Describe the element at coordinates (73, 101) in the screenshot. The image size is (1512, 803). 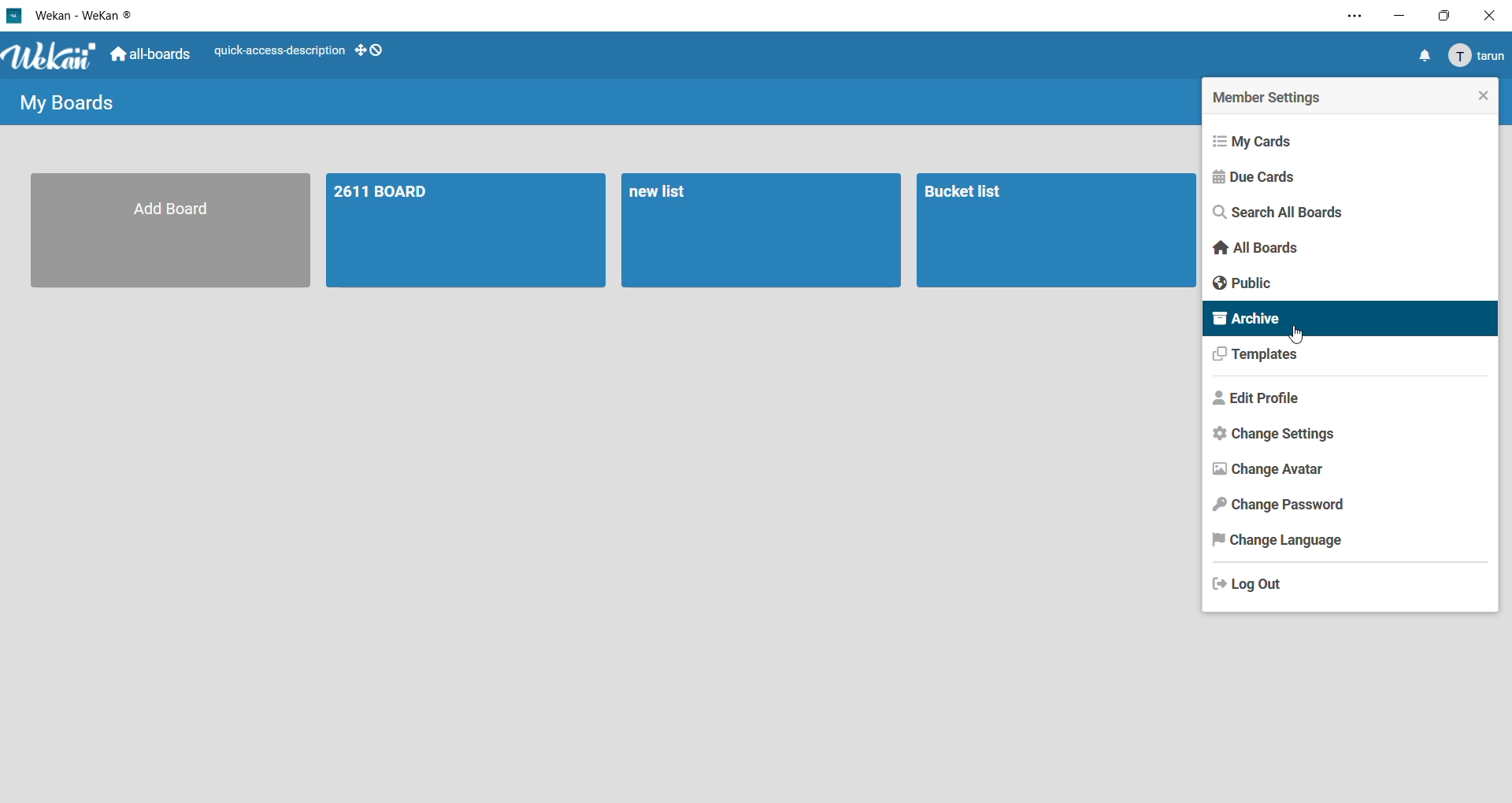
I see `my boards` at that location.